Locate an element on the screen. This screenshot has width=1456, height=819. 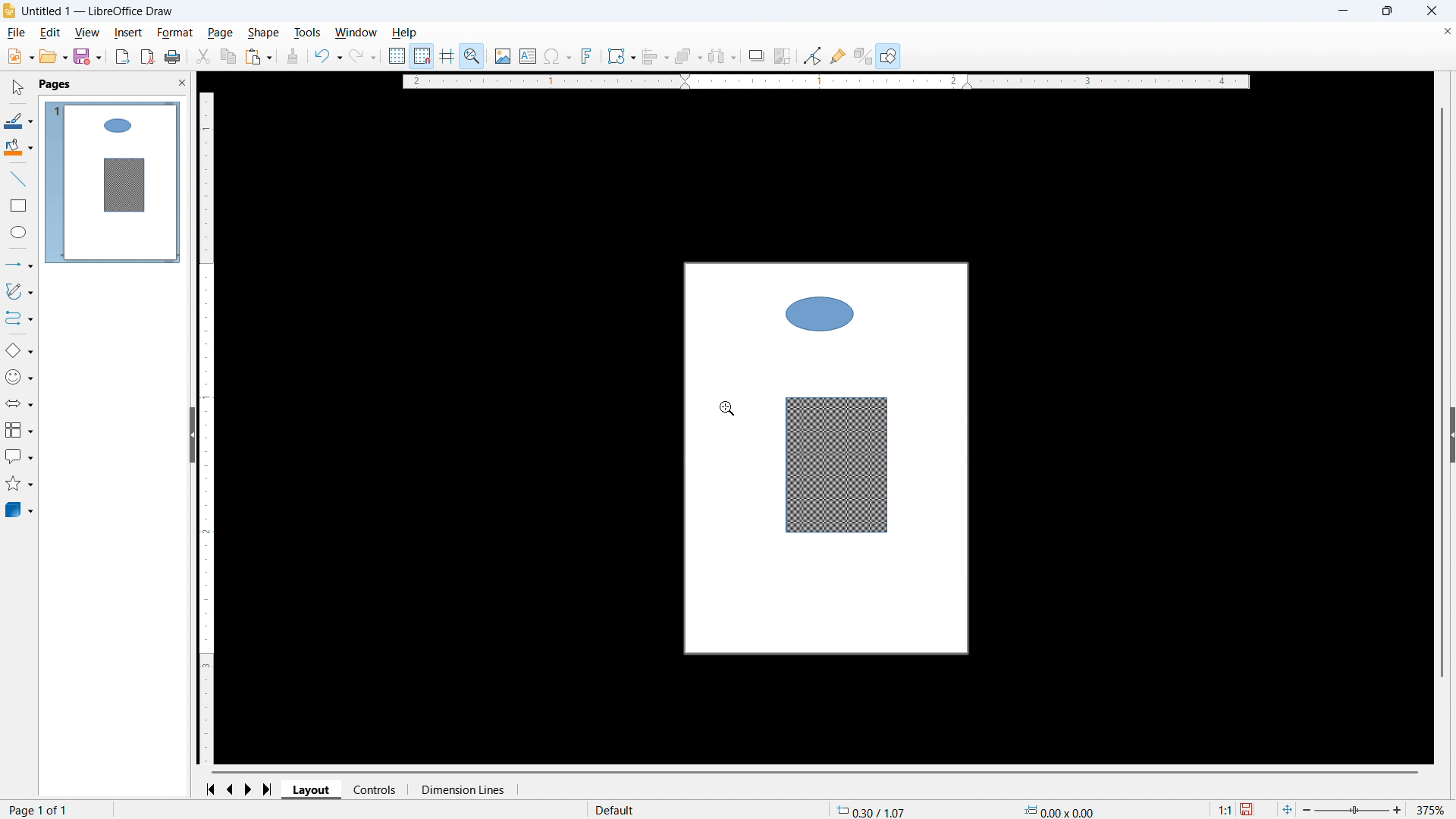
Default page style  is located at coordinates (616, 808).